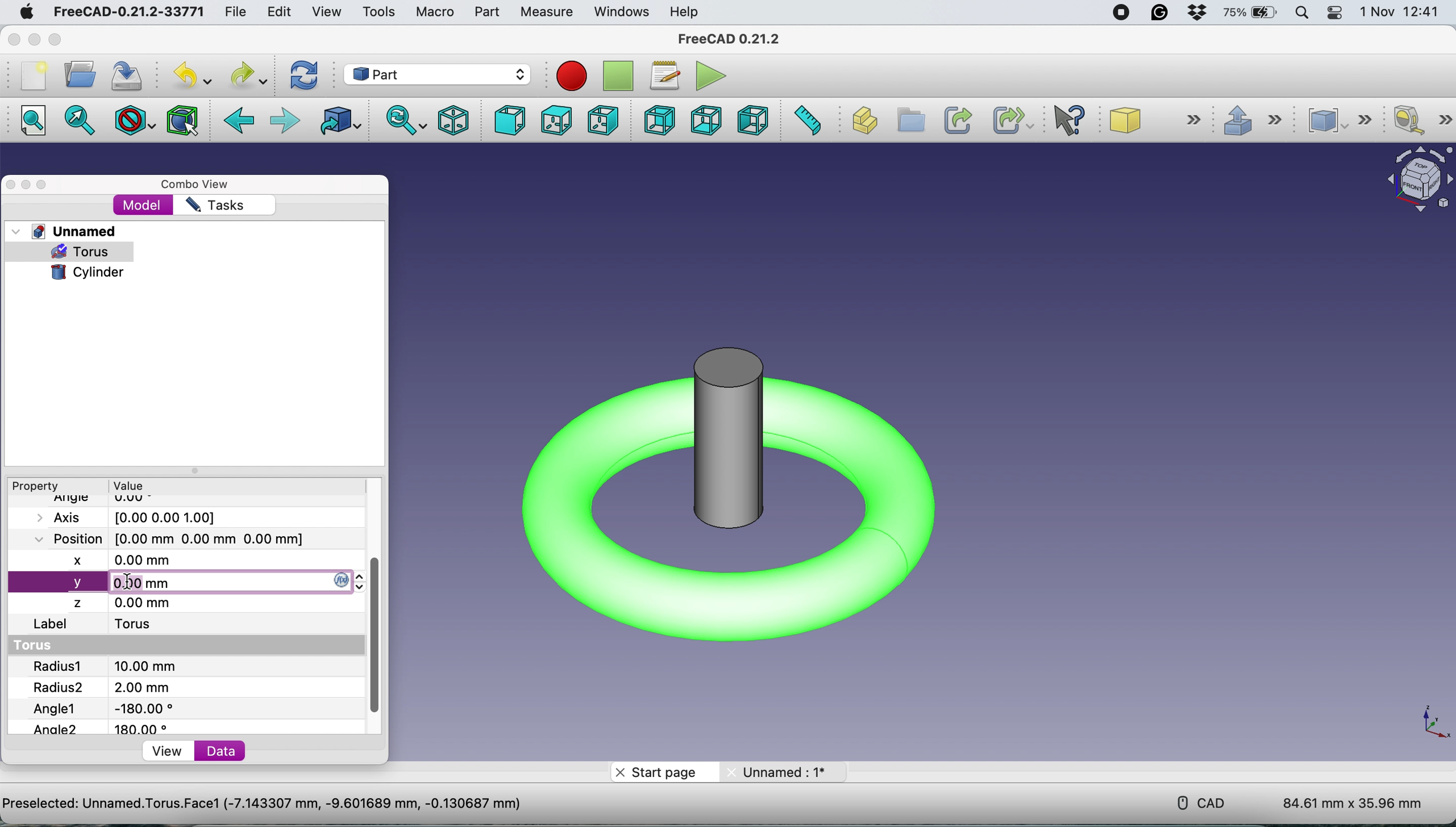 The image size is (1456, 827). Describe the element at coordinates (39, 646) in the screenshot. I see `torus` at that location.